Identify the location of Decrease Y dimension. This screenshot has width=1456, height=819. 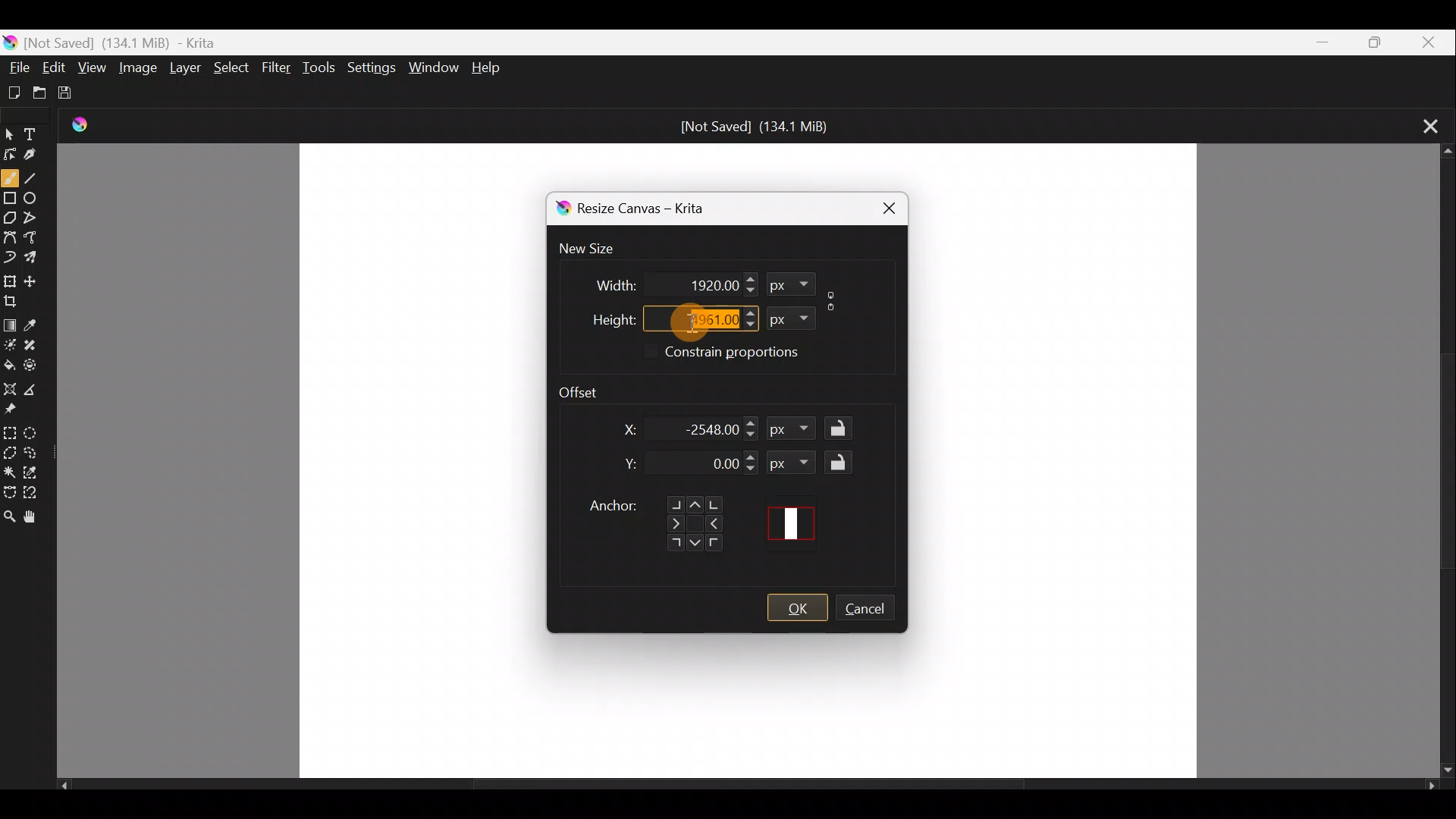
(752, 469).